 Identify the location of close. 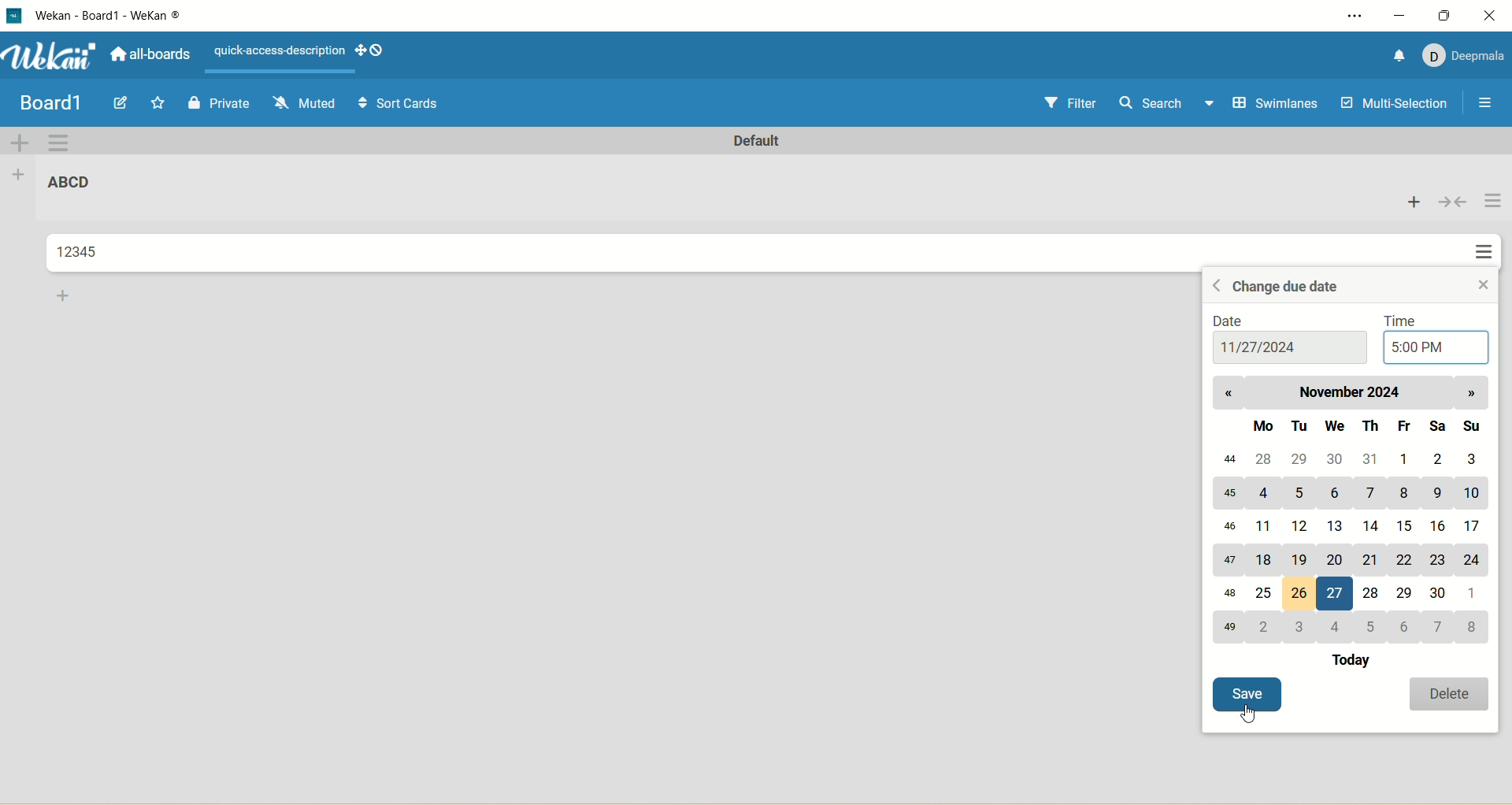
(1493, 15).